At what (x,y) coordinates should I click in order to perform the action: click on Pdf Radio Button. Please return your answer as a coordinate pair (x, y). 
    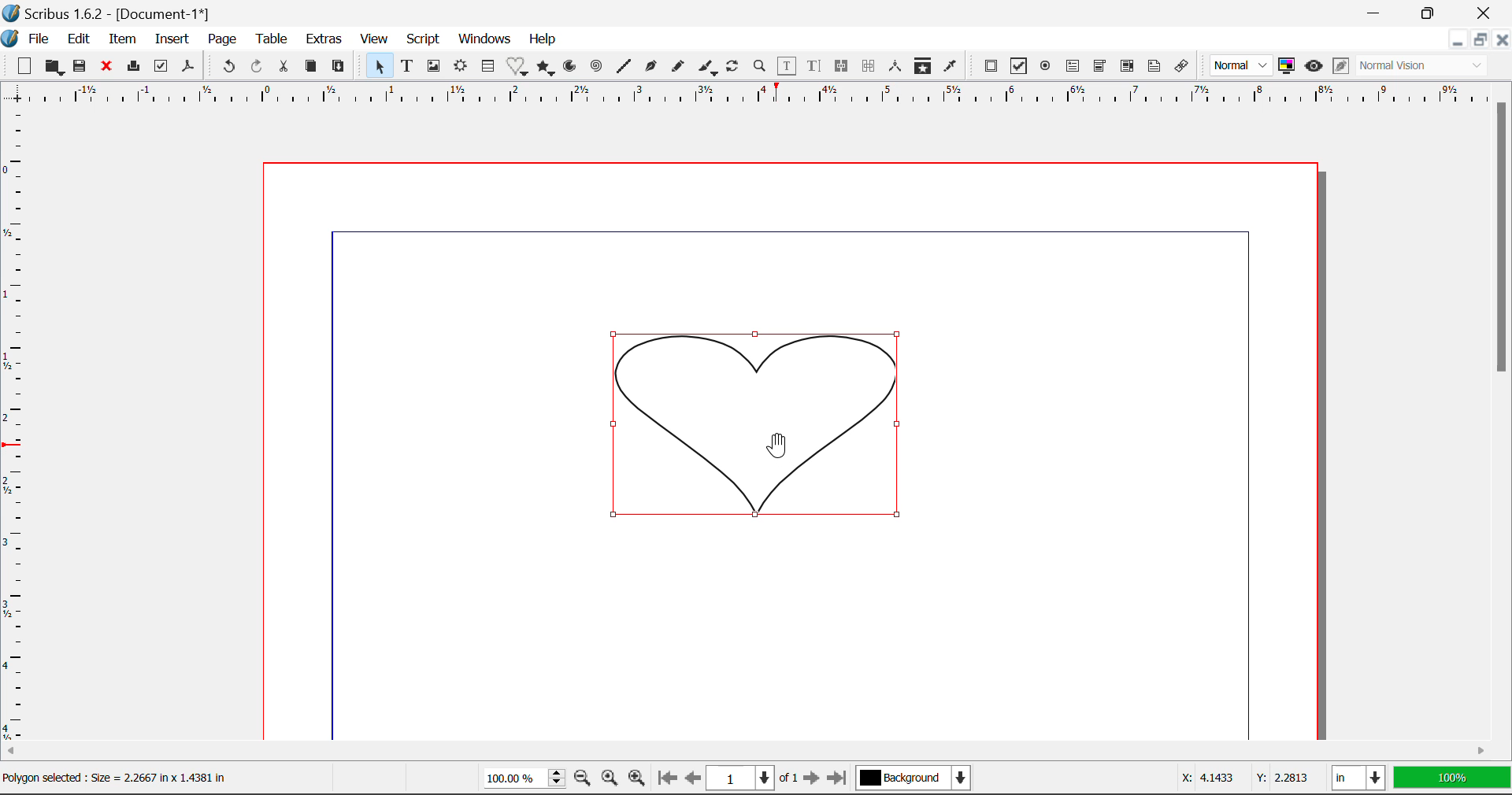
    Looking at the image, I should click on (1047, 68).